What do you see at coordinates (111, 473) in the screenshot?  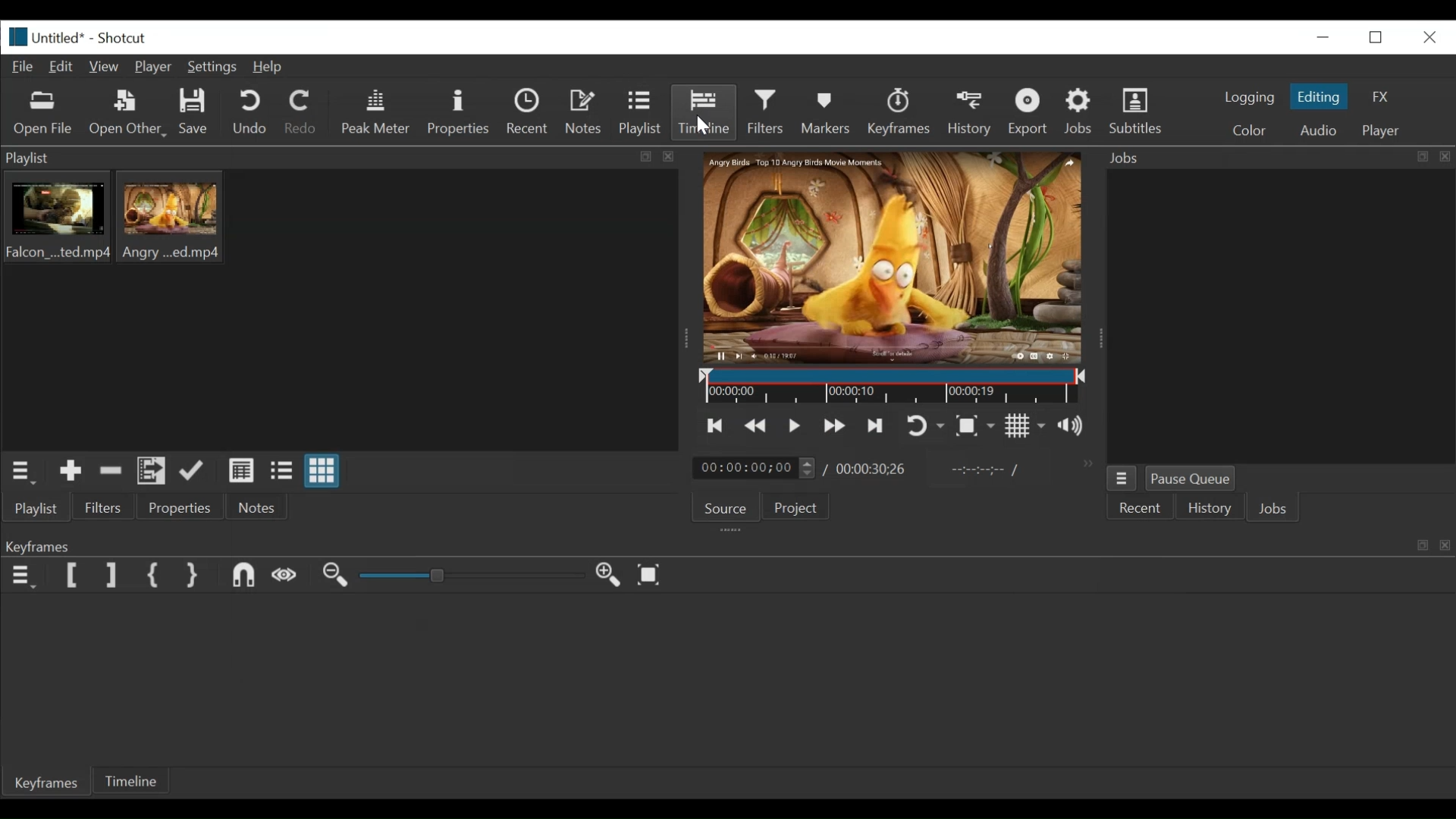 I see `Remove cut` at bounding box center [111, 473].